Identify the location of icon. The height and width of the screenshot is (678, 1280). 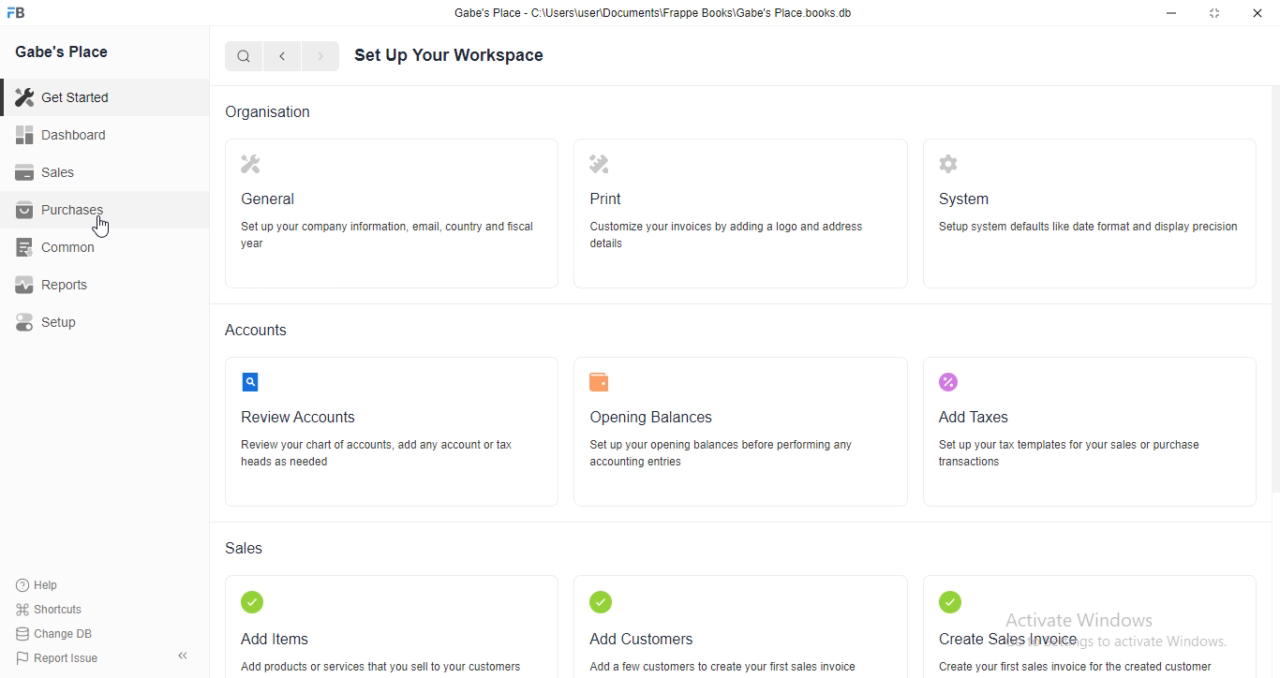
(951, 164).